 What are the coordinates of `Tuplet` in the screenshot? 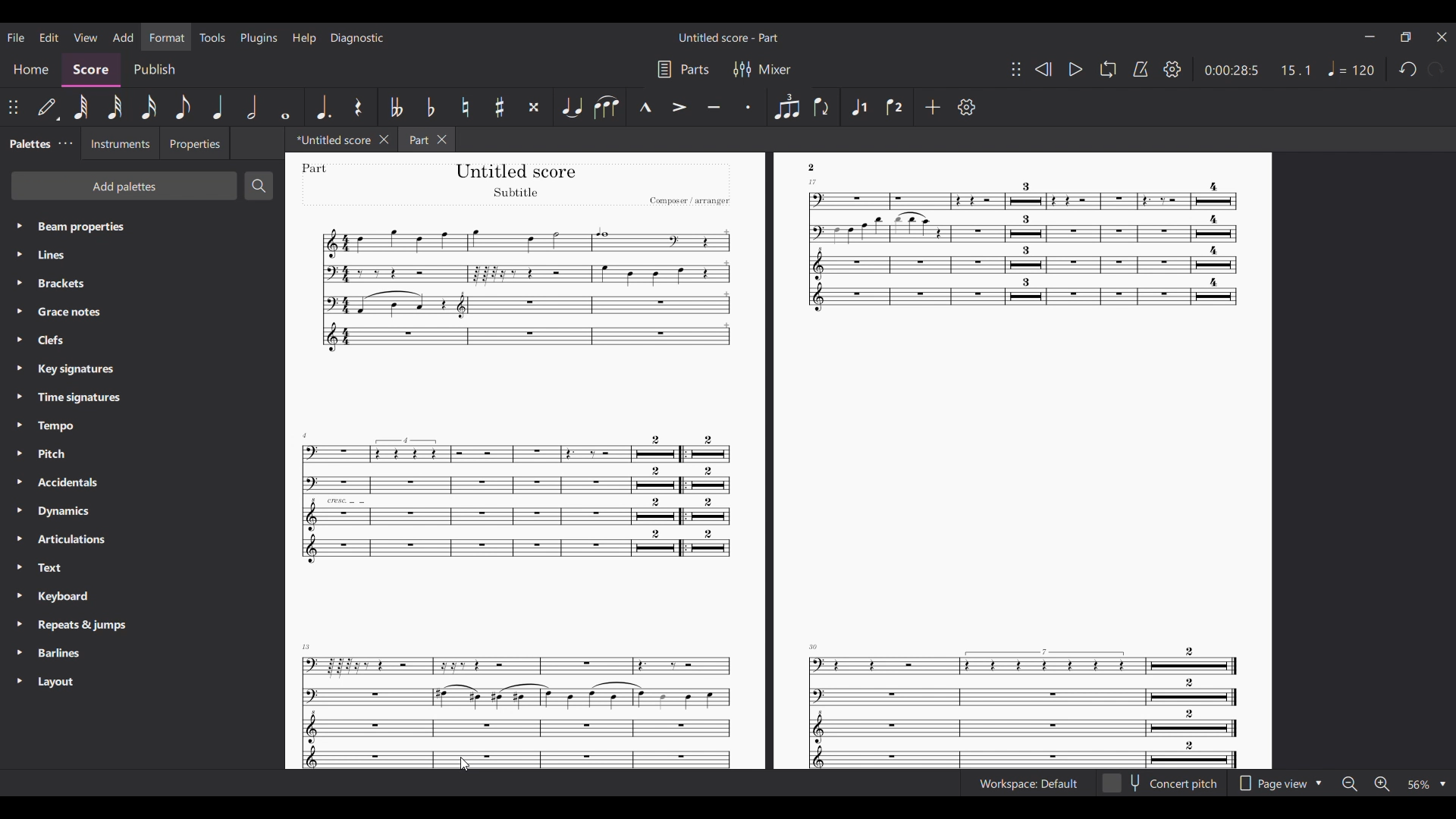 It's located at (786, 107).